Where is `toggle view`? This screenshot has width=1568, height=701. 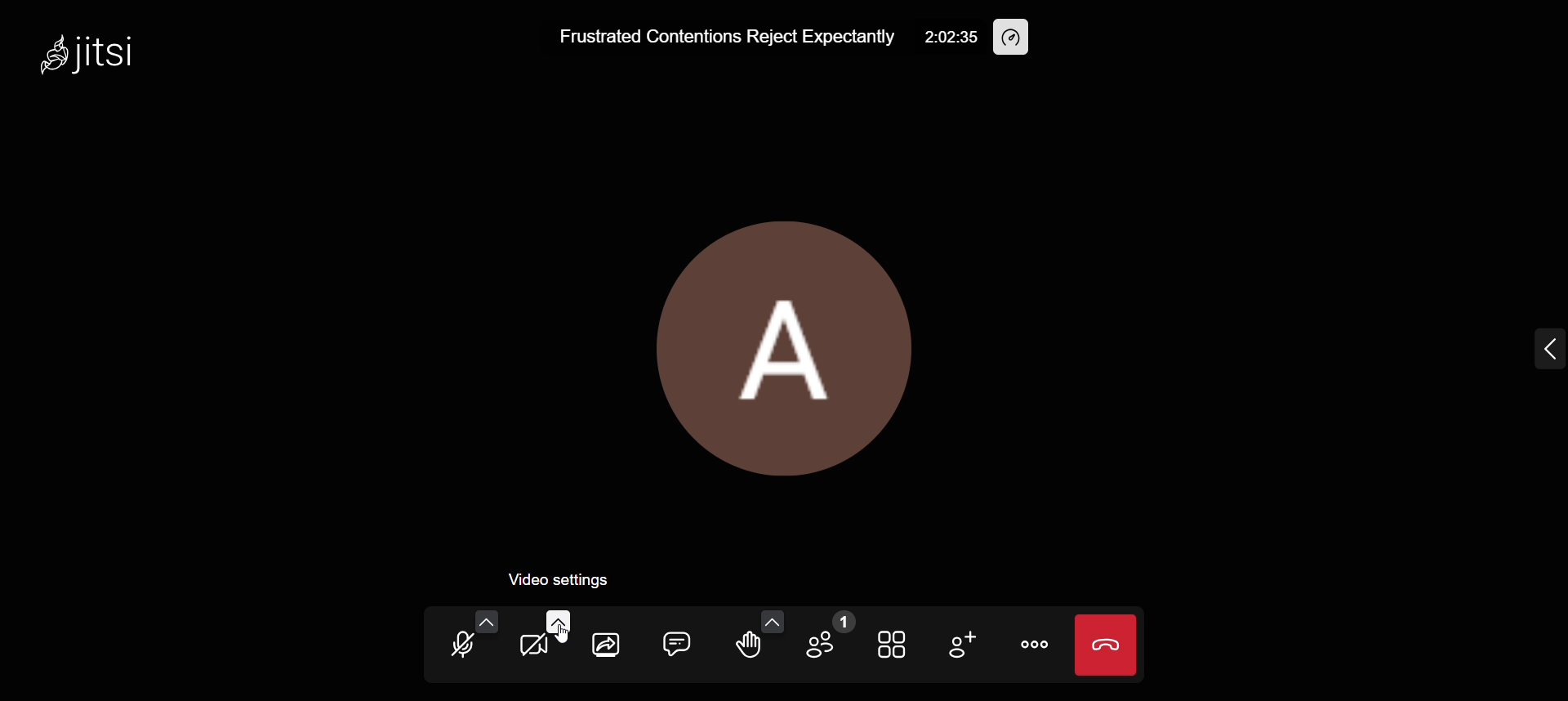 toggle view is located at coordinates (890, 644).